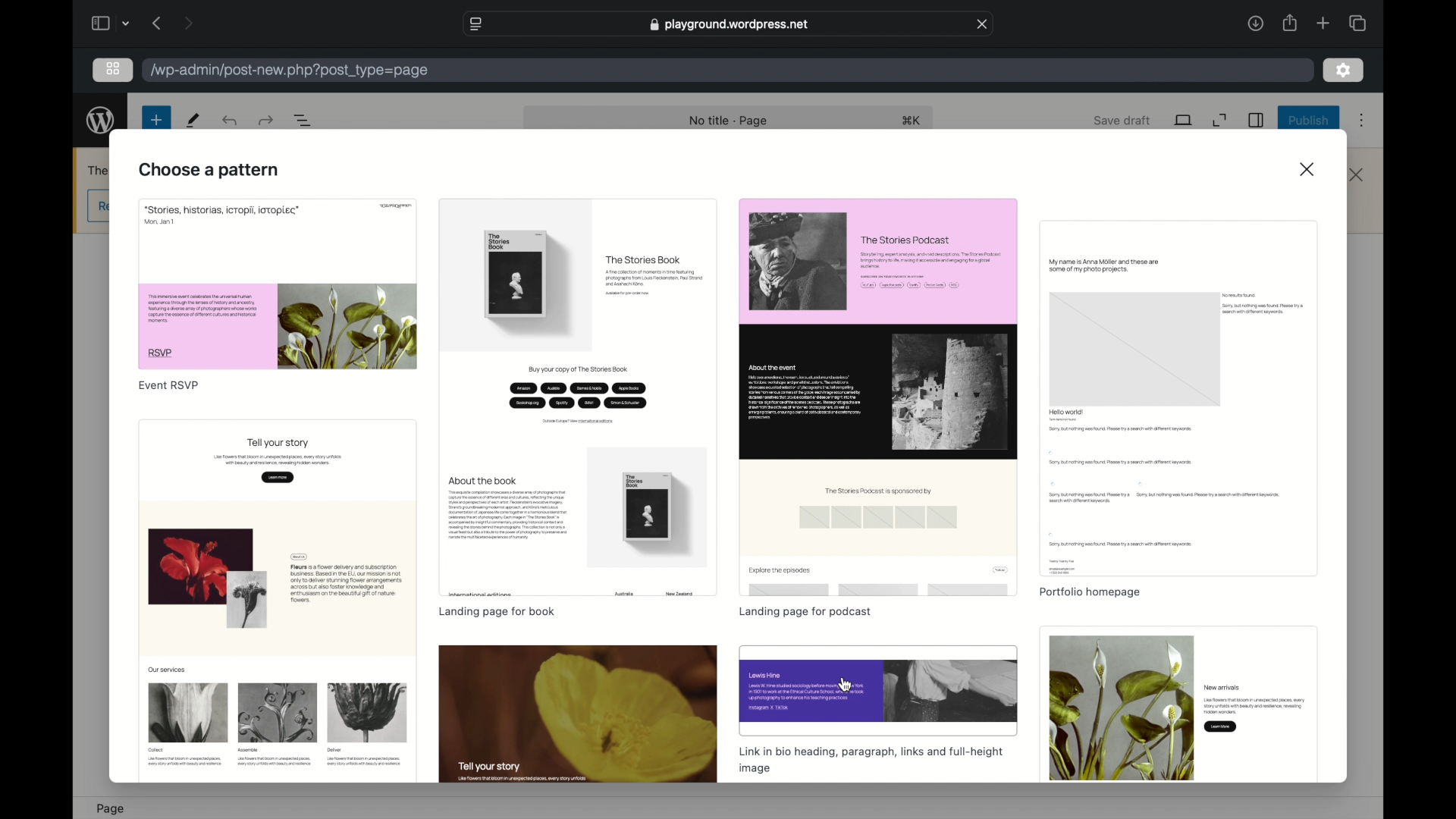  Describe the element at coordinates (229, 121) in the screenshot. I see `redo` at that location.